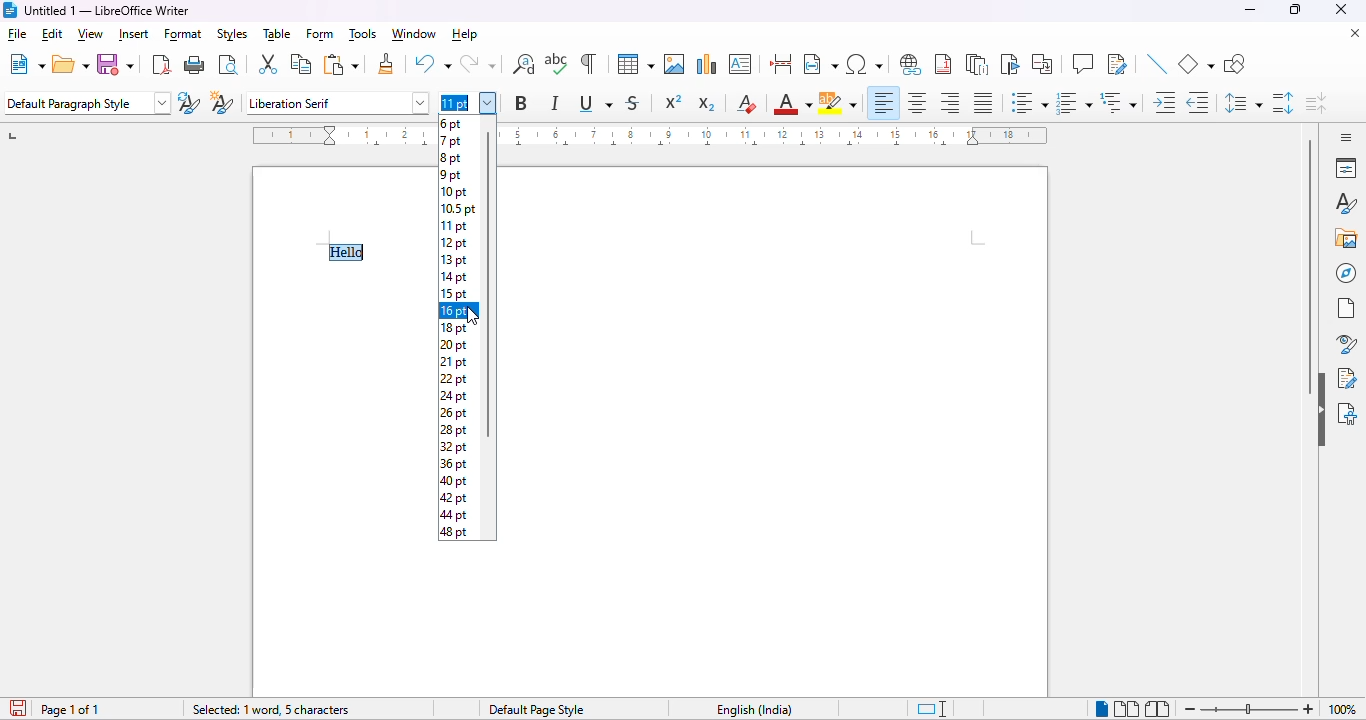 Image resolution: width=1366 pixels, height=720 pixels. I want to click on styles, so click(1346, 204).